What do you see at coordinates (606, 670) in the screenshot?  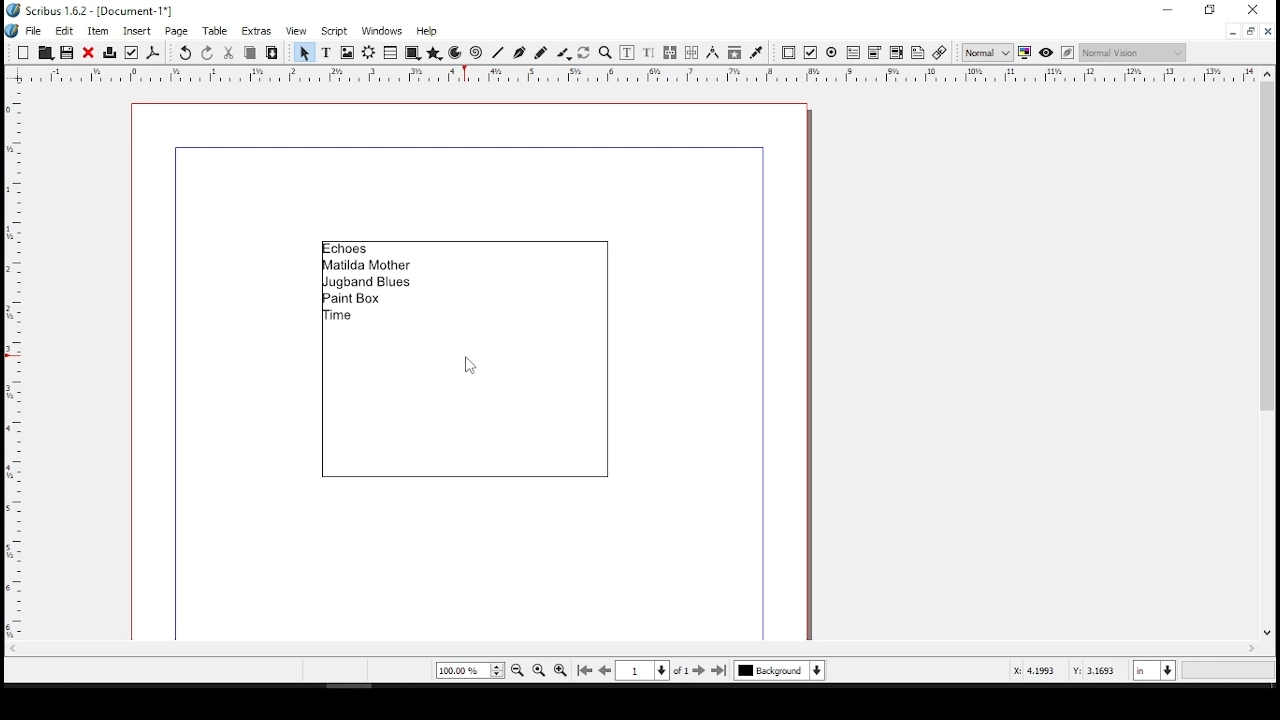 I see `previous page` at bounding box center [606, 670].